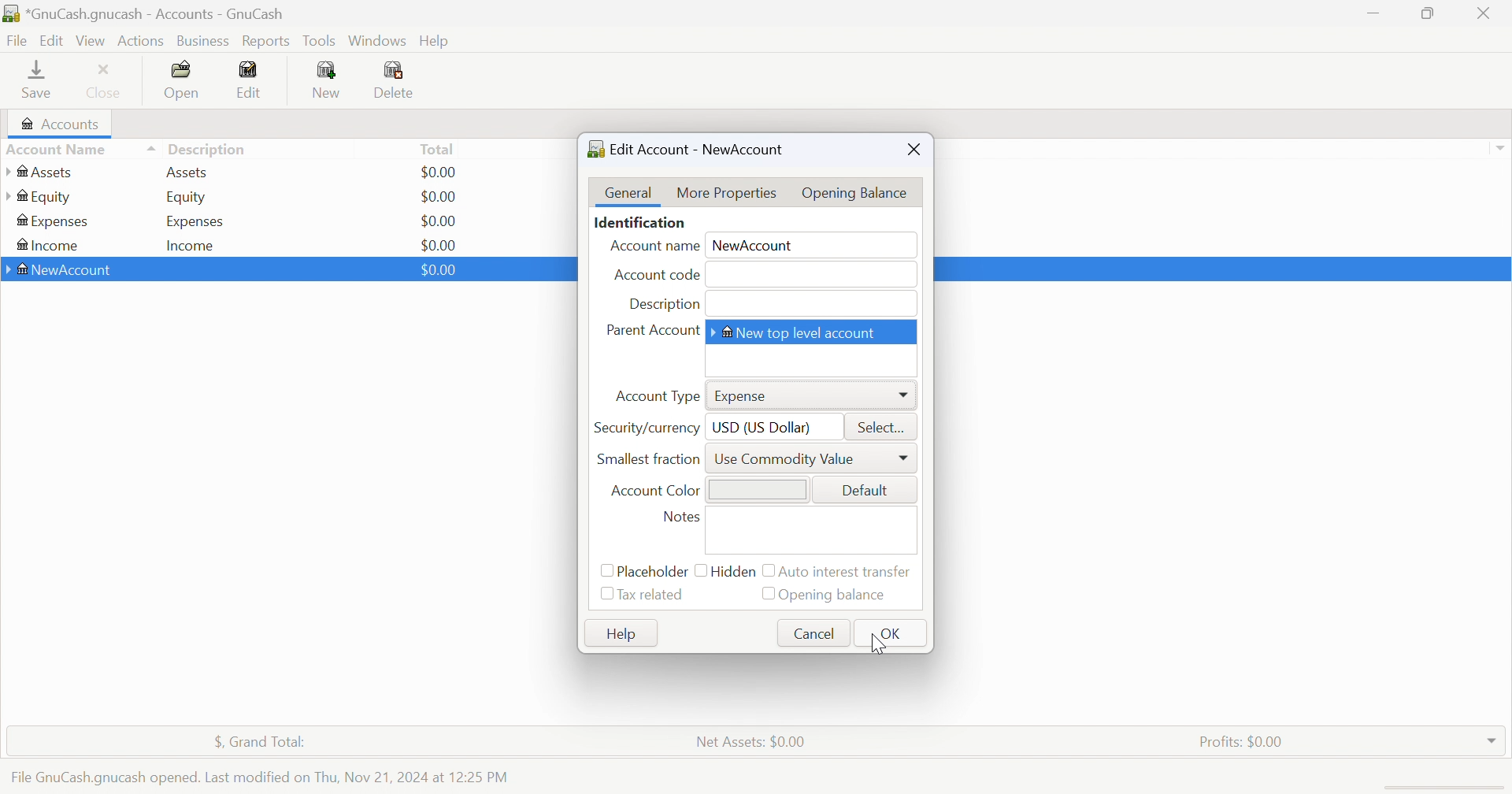  Describe the element at coordinates (439, 245) in the screenshot. I see `$0.00` at that location.